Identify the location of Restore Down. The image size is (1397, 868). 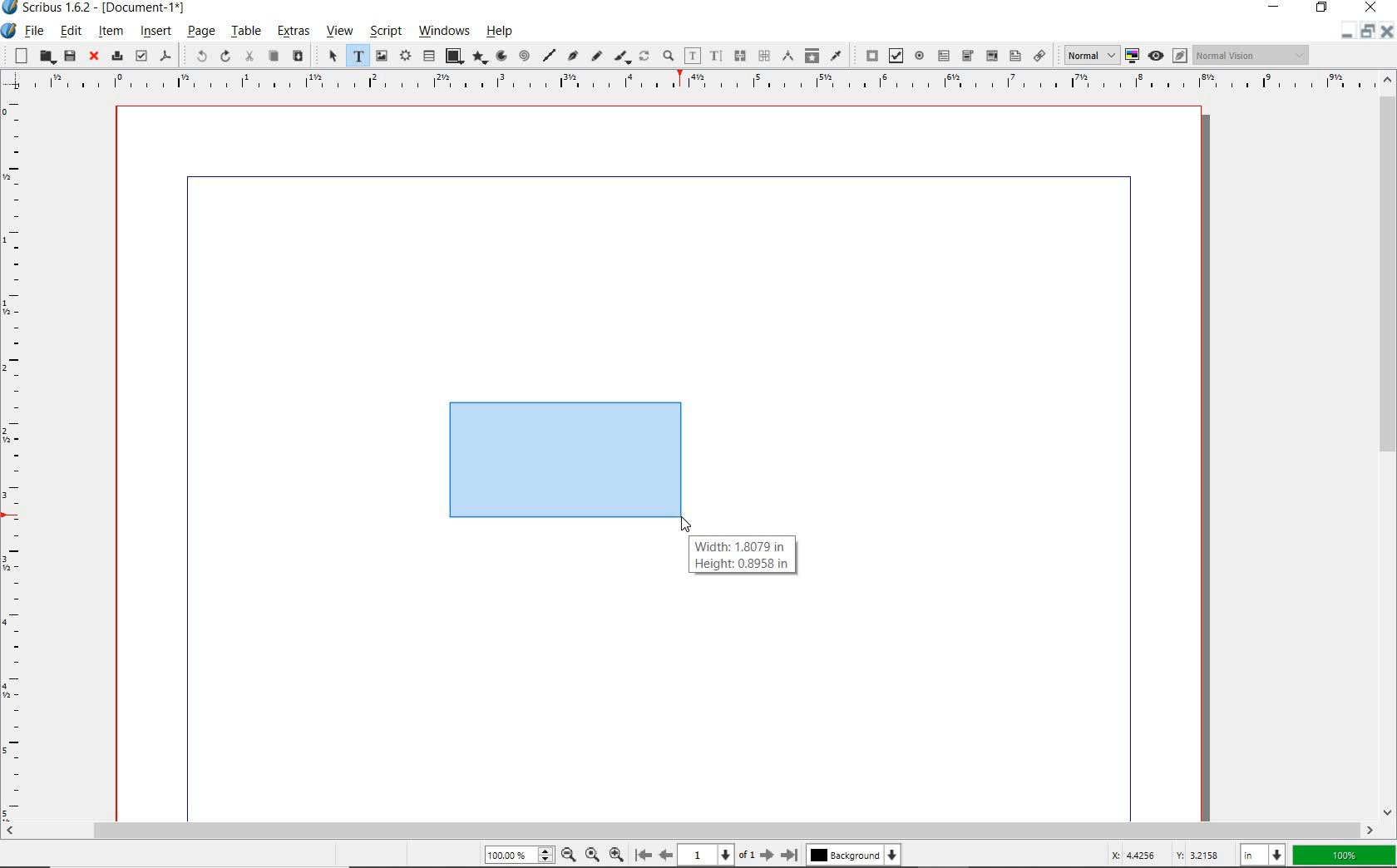
(1346, 31).